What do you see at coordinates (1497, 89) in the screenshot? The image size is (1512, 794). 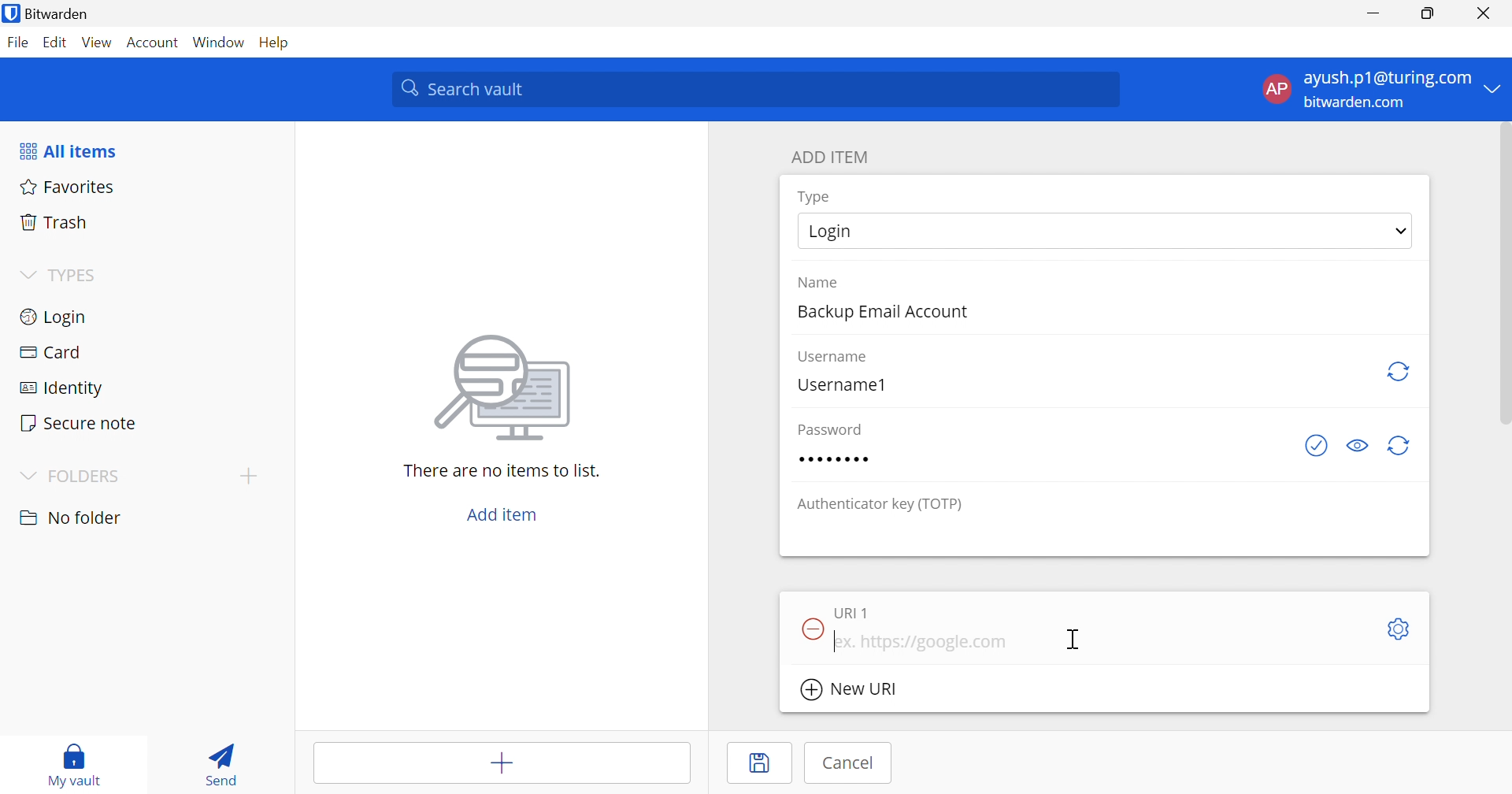 I see `Drop Down` at bounding box center [1497, 89].